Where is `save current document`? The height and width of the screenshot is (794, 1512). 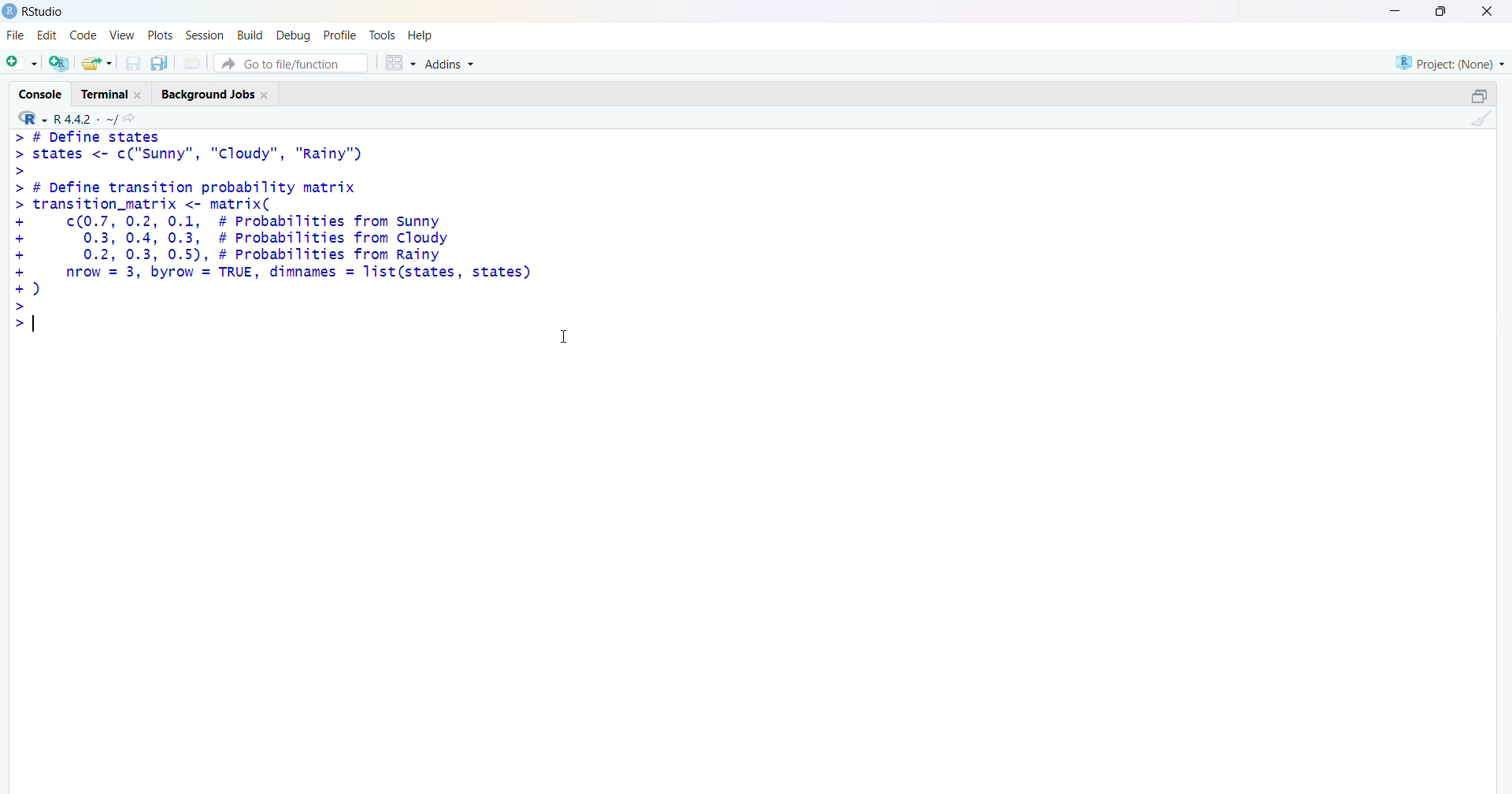
save current document is located at coordinates (133, 64).